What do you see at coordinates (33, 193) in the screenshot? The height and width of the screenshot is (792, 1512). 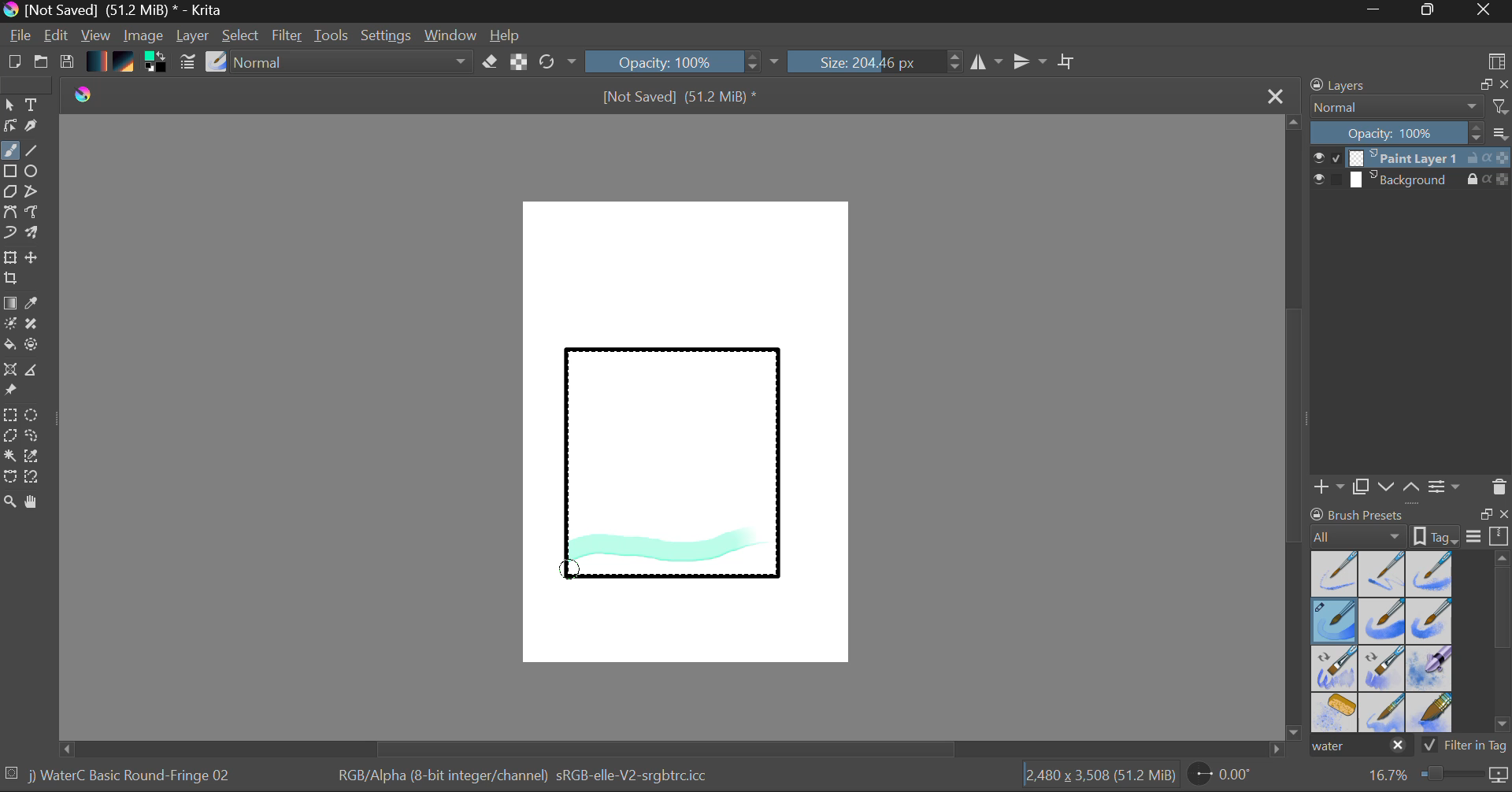 I see `Polyline` at bounding box center [33, 193].